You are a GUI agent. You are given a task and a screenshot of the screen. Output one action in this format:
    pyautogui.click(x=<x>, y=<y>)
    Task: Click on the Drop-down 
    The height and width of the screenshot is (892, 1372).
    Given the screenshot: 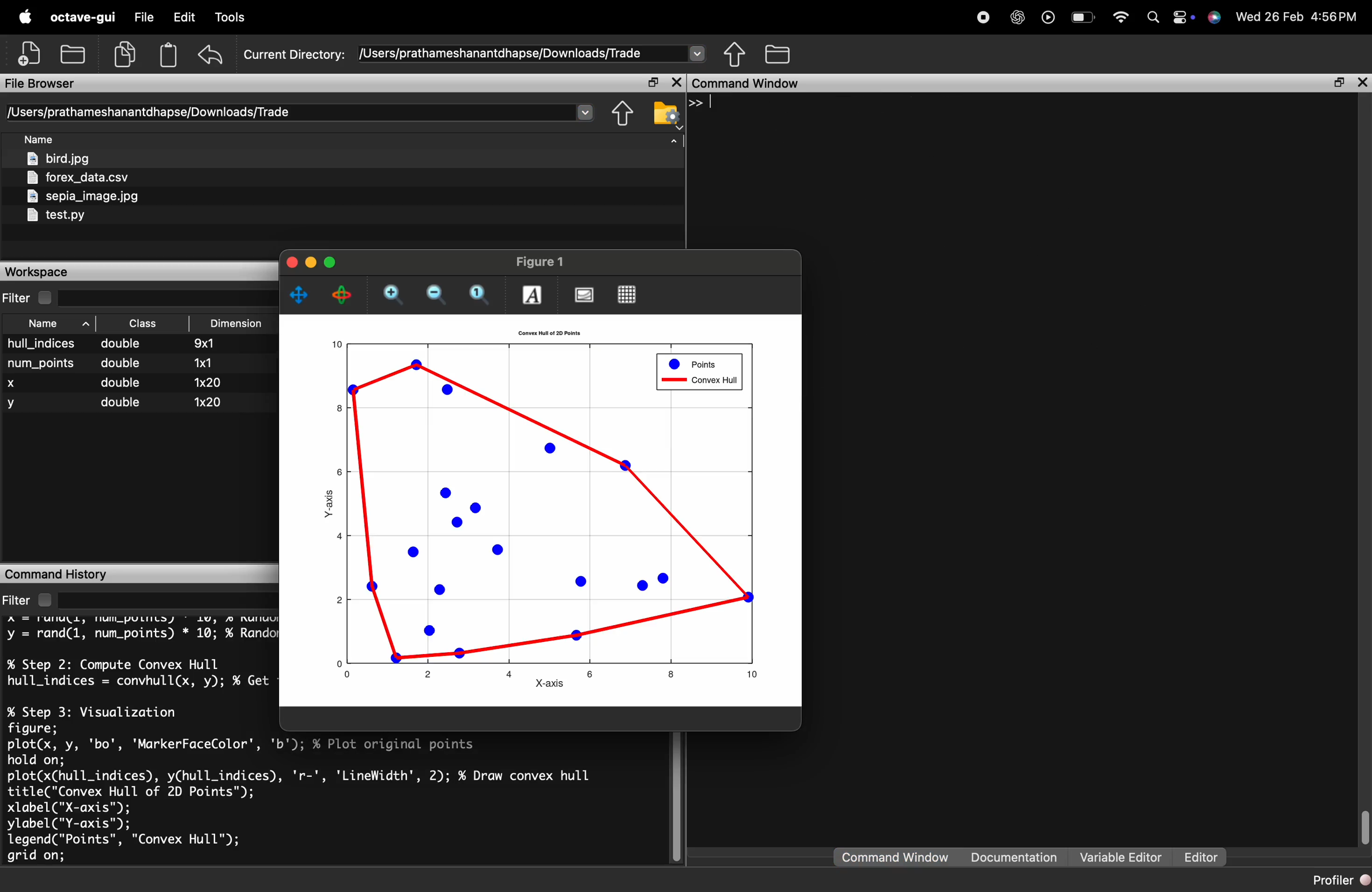 What is the action you would take?
    pyautogui.click(x=698, y=52)
    